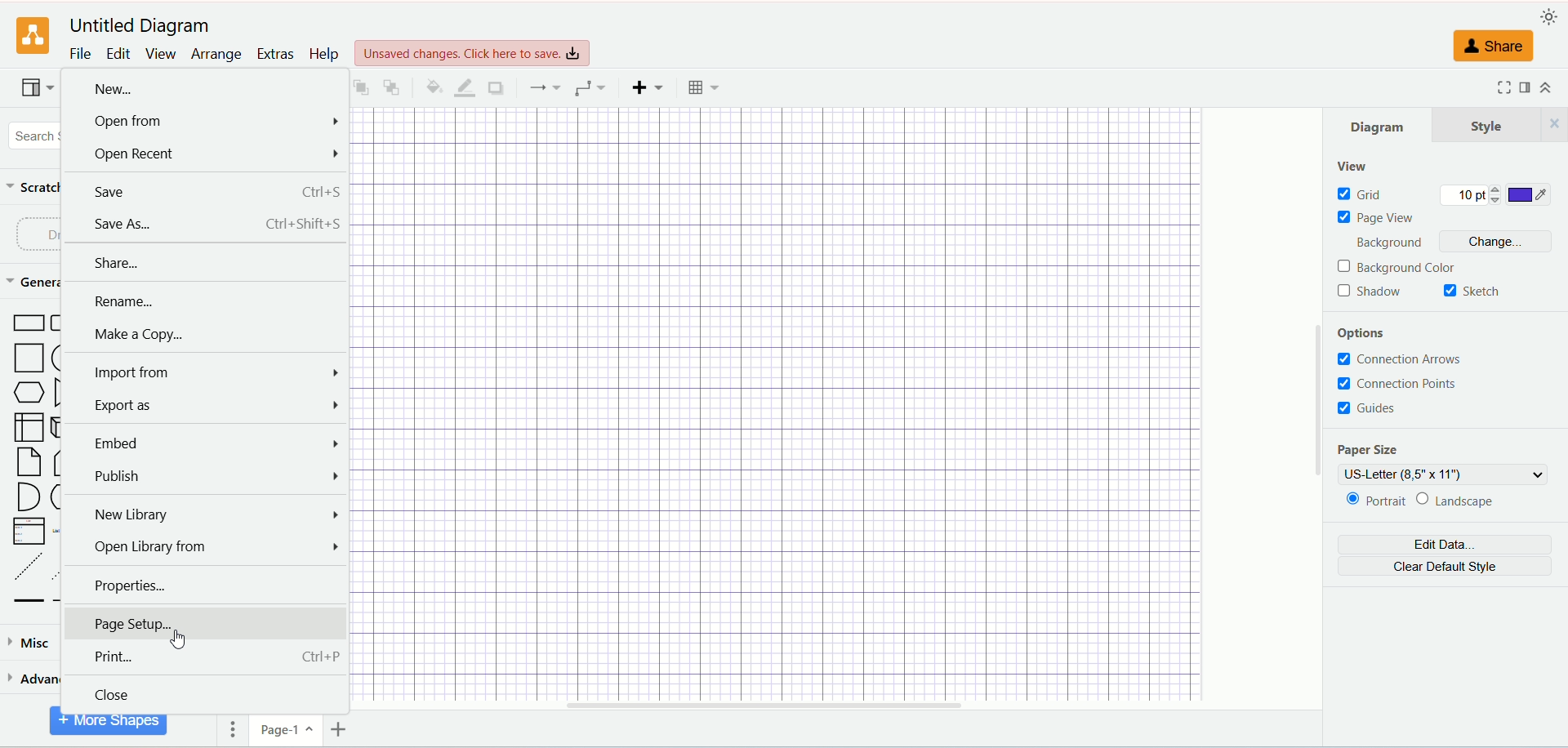 The image size is (1568, 748). Describe the element at coordinates (1501, 124) in the screenshot. I see `style` at that location.